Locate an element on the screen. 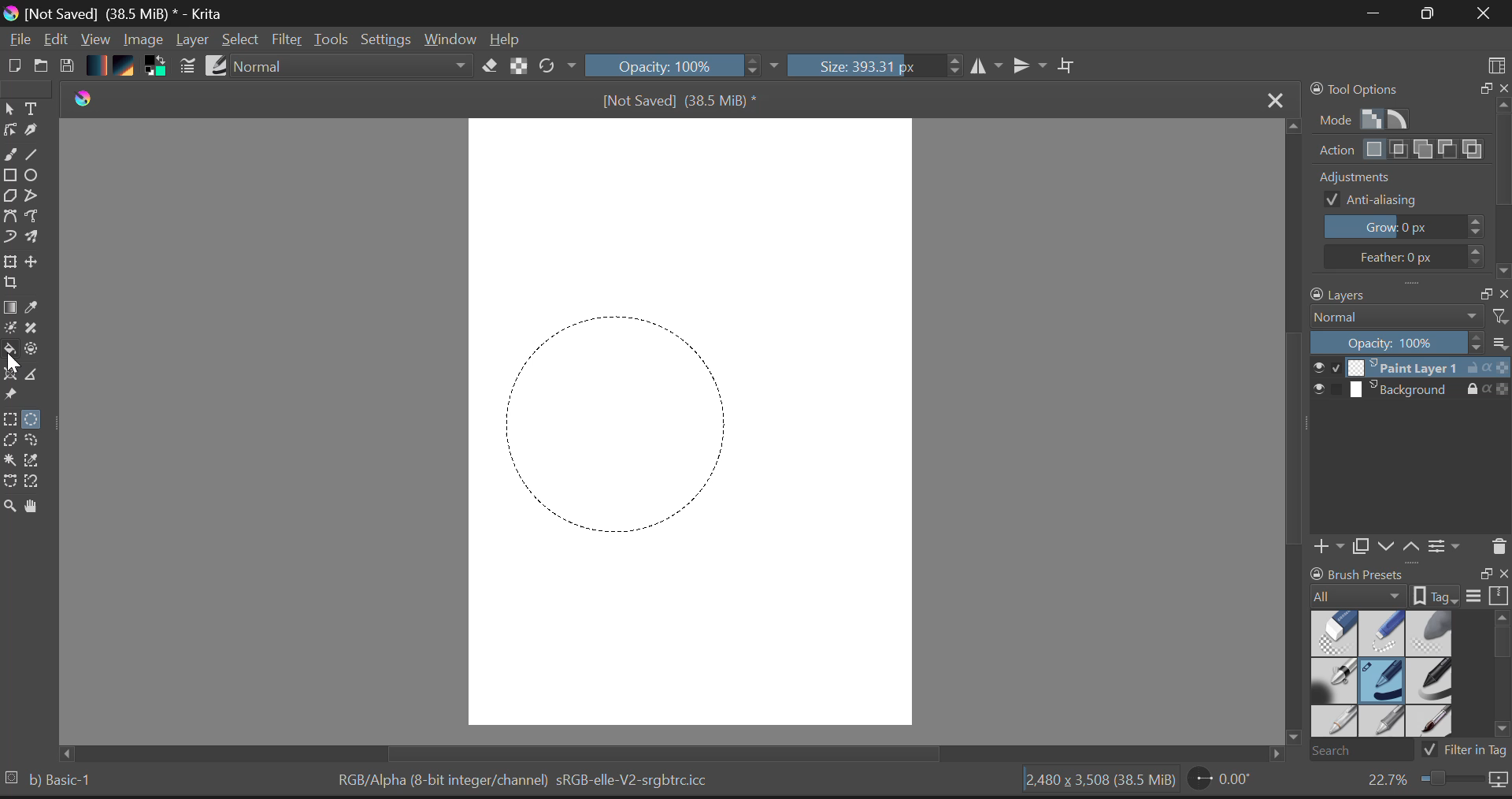  Fill is located at coordinates (11, 349).